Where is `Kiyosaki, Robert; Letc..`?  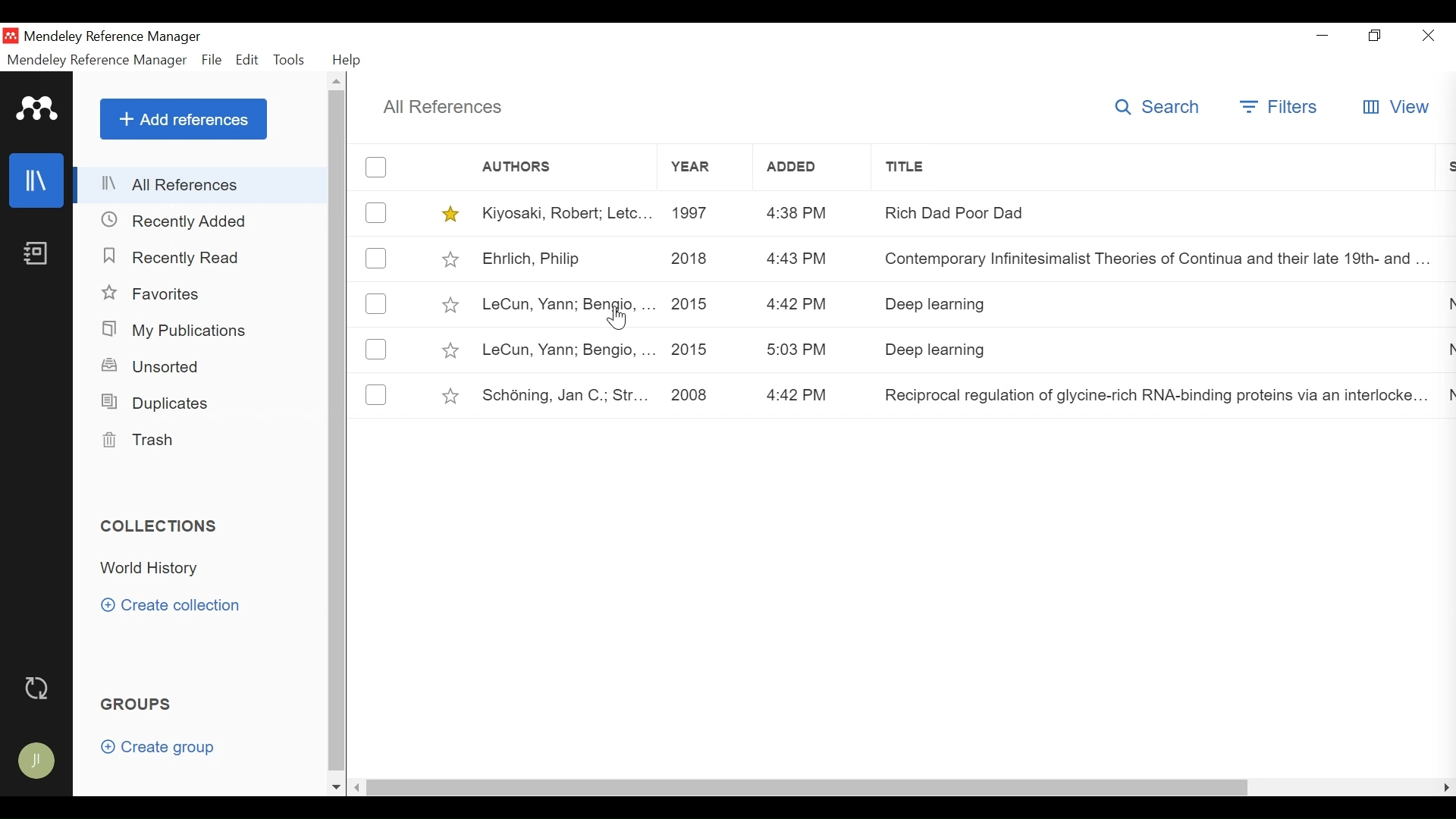
Kiyosaki, Robert; Letc.. is located at coordinates (568, 212).